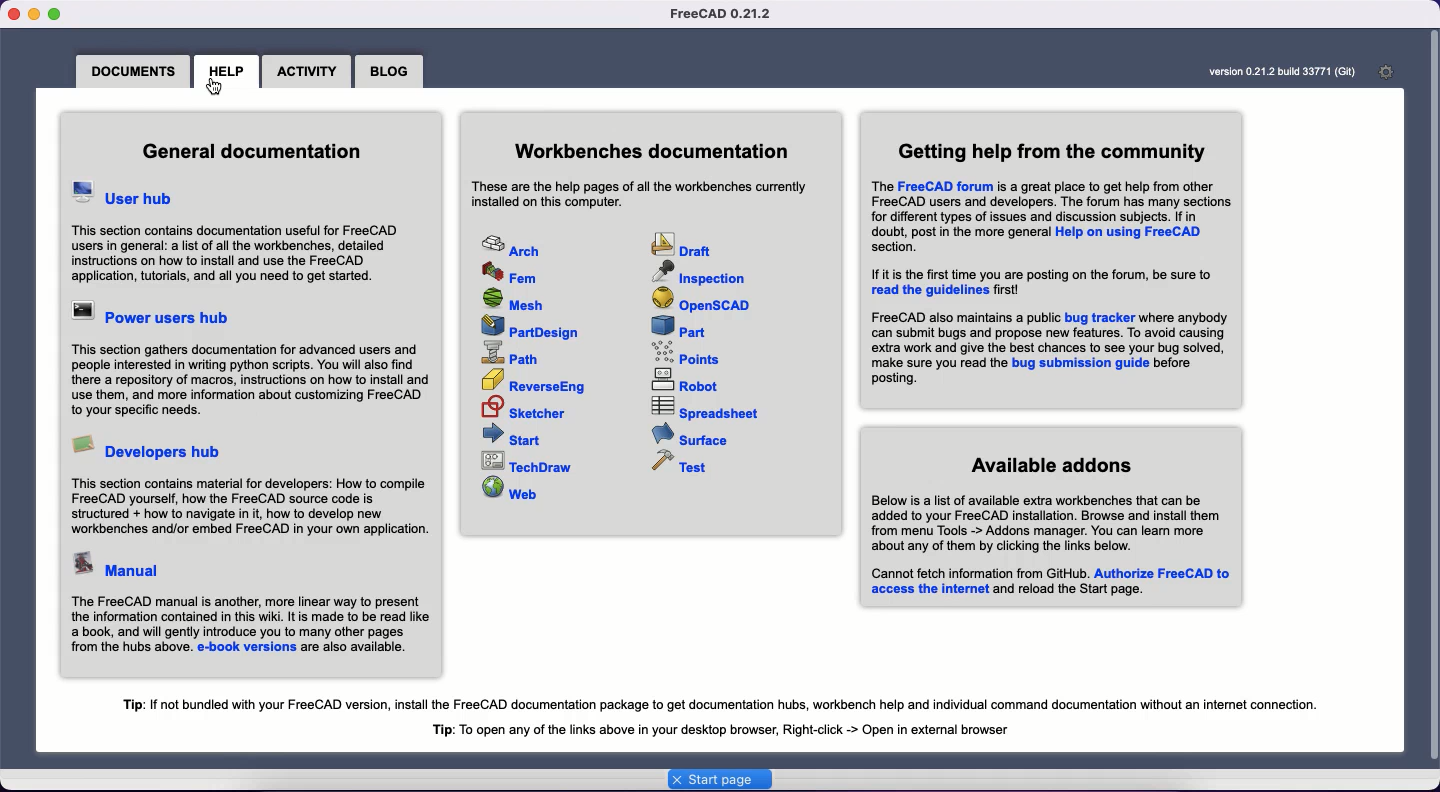 The height and width of the screenshot is (792, 1440). Describe the element at coordinates (689, 354) in the screenshot. I see `Points` at that location.